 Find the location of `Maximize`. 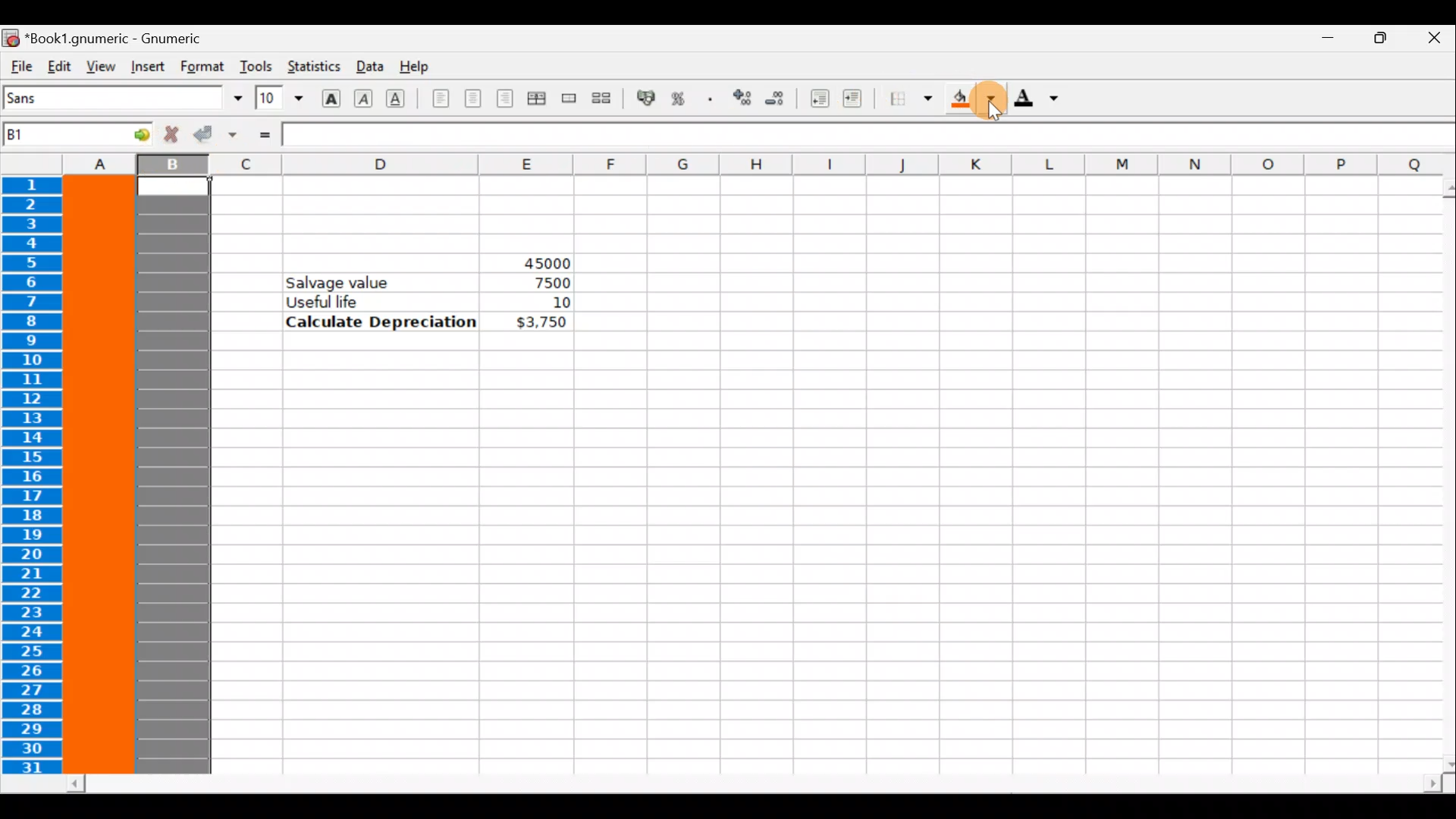

Maximize is located at coordinates (1377, 42).